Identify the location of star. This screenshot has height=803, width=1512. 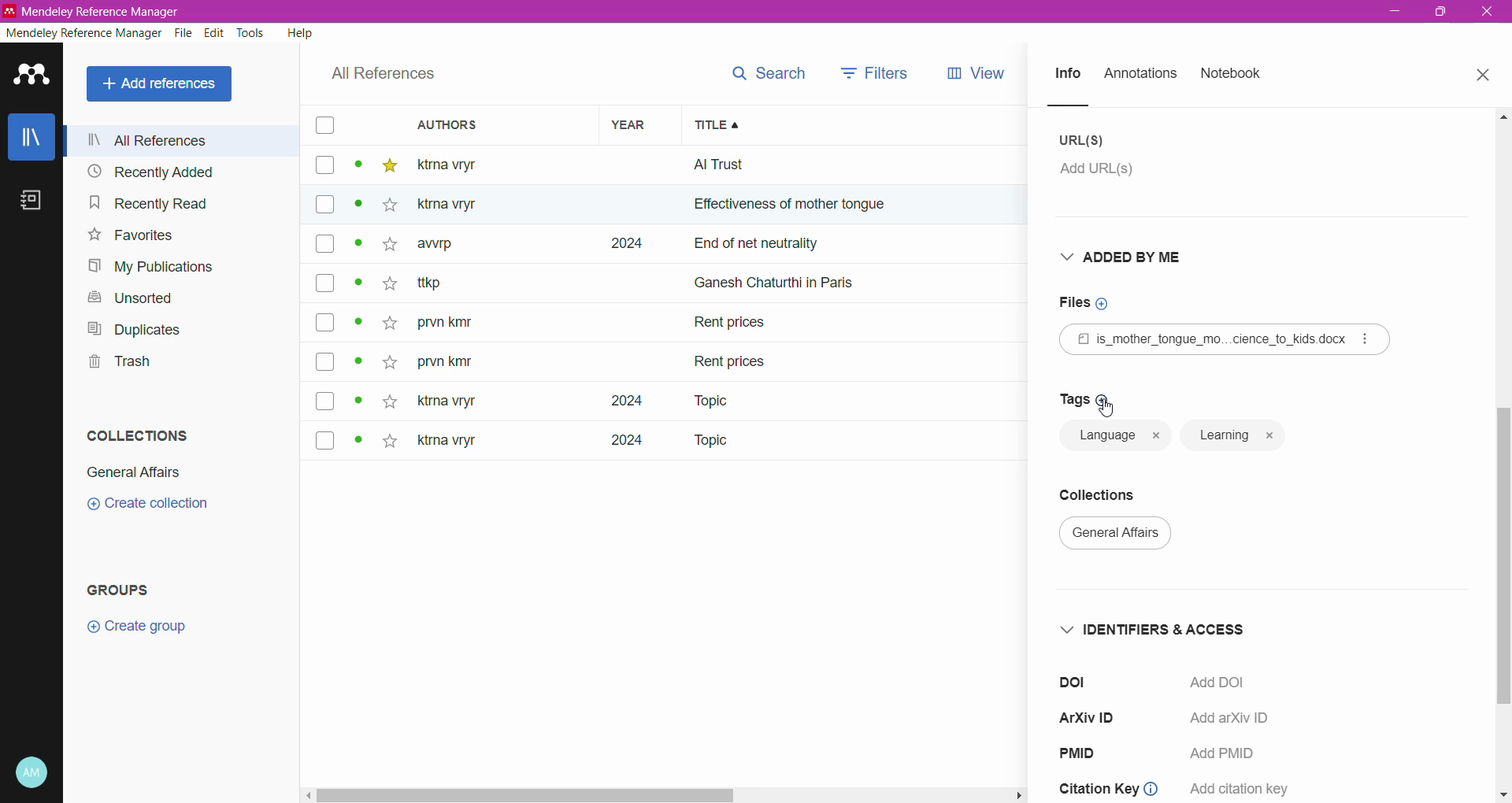
(390, 400).